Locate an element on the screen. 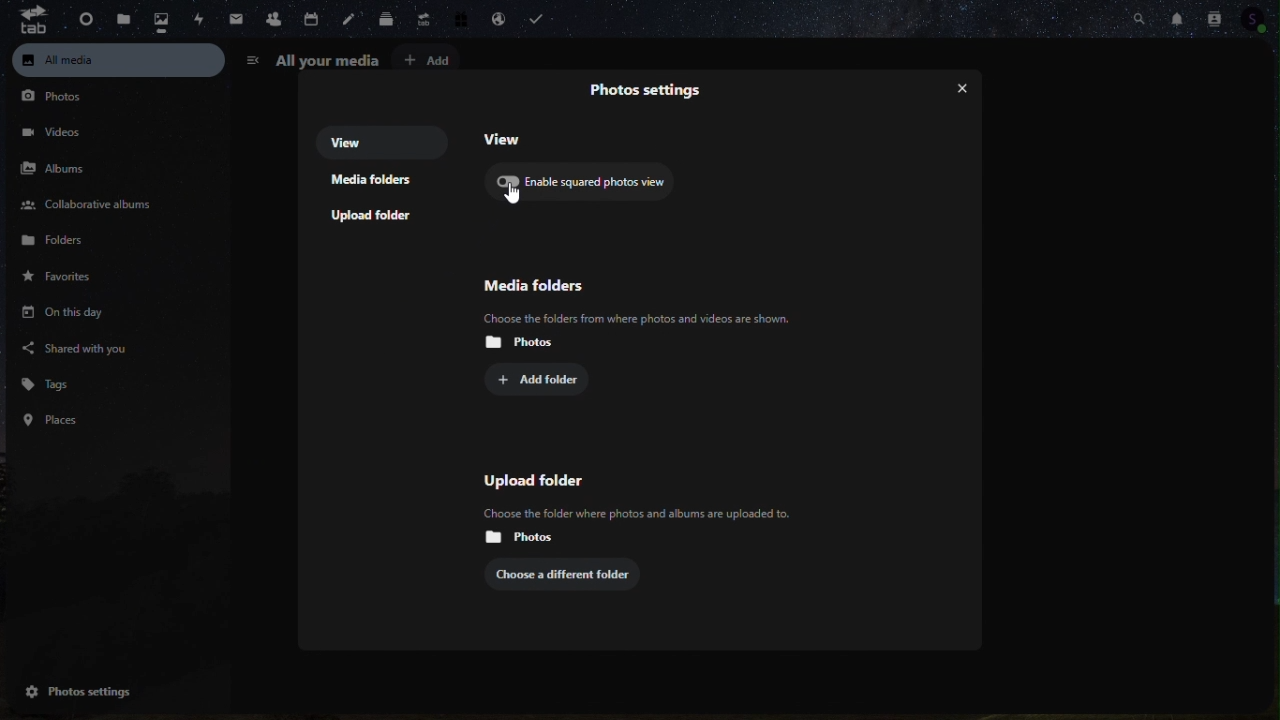 This screenshot has width=1280, height=720. Deck is located at coordinates (383, 20).